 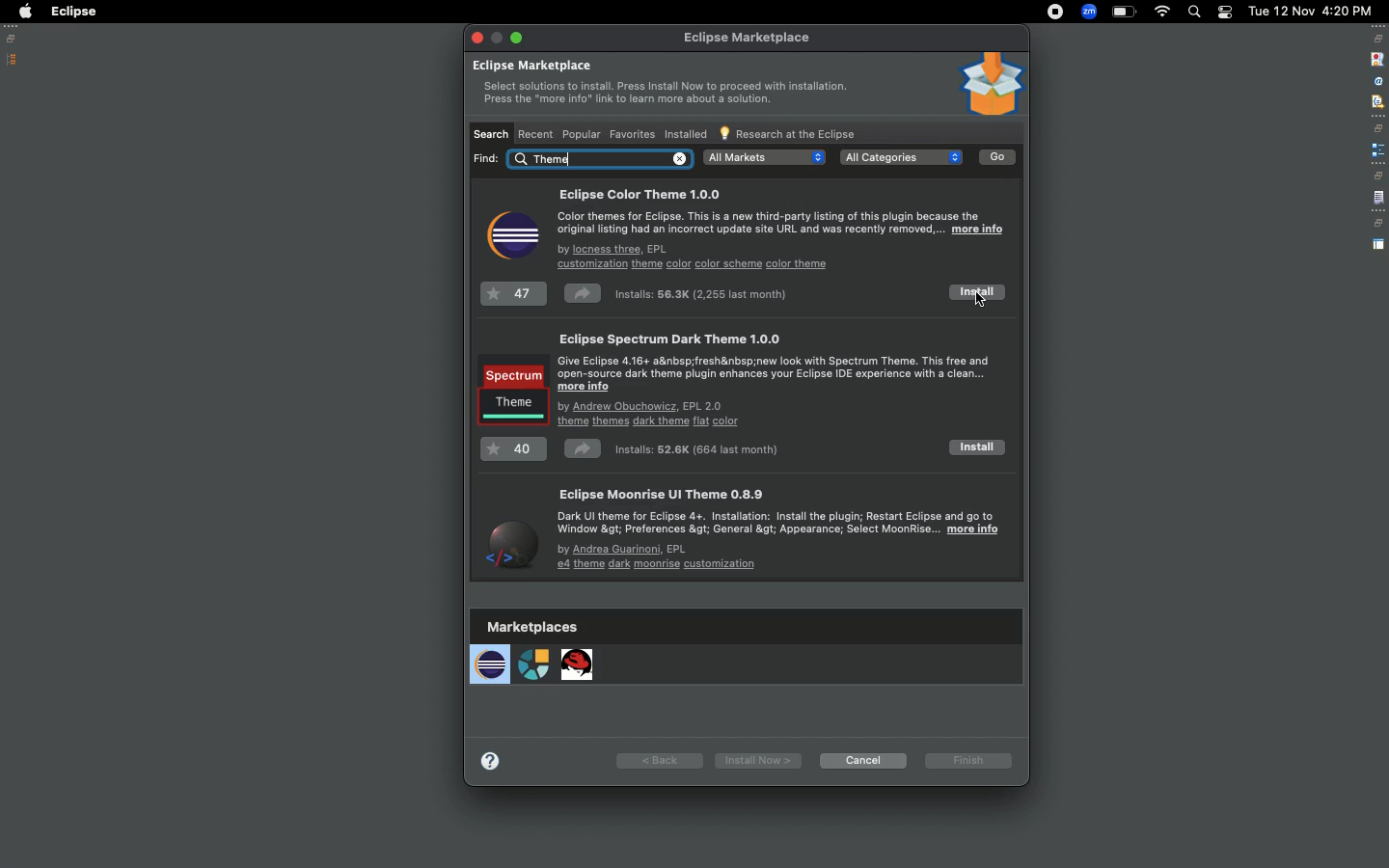 I want to click on Date/time, so click(x=1312, y=10).